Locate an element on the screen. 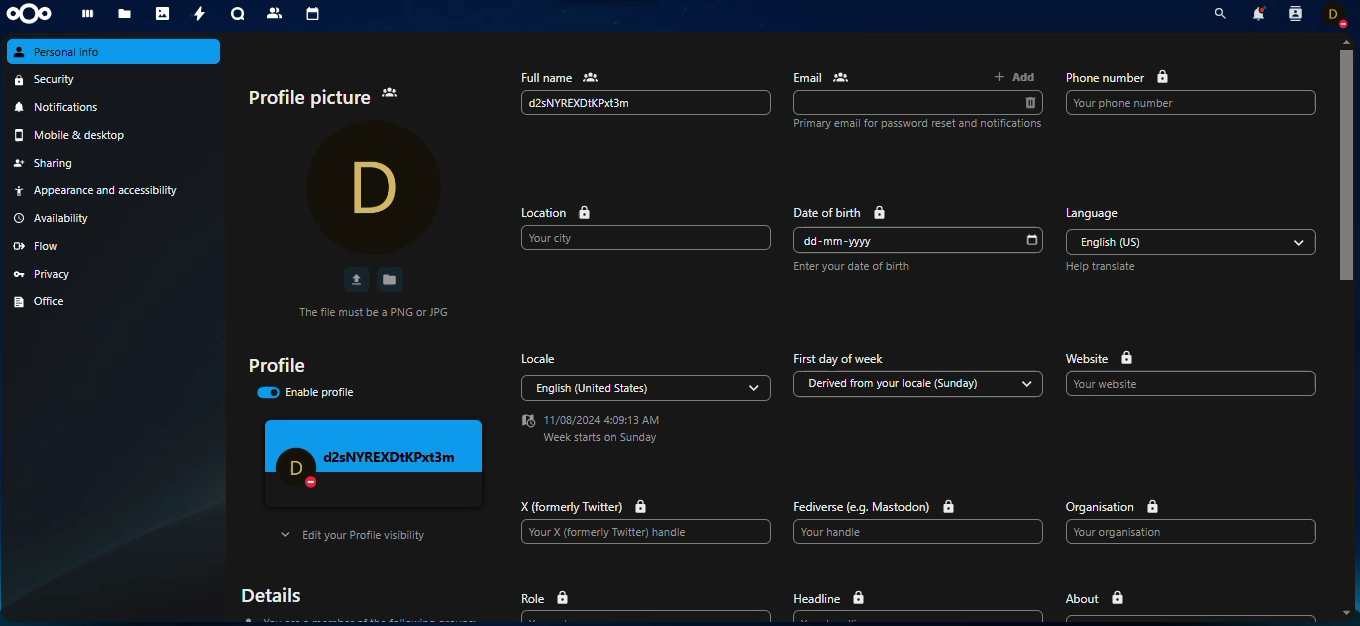 The image size is (1360, 626). files is located at coordinates (123, 13).